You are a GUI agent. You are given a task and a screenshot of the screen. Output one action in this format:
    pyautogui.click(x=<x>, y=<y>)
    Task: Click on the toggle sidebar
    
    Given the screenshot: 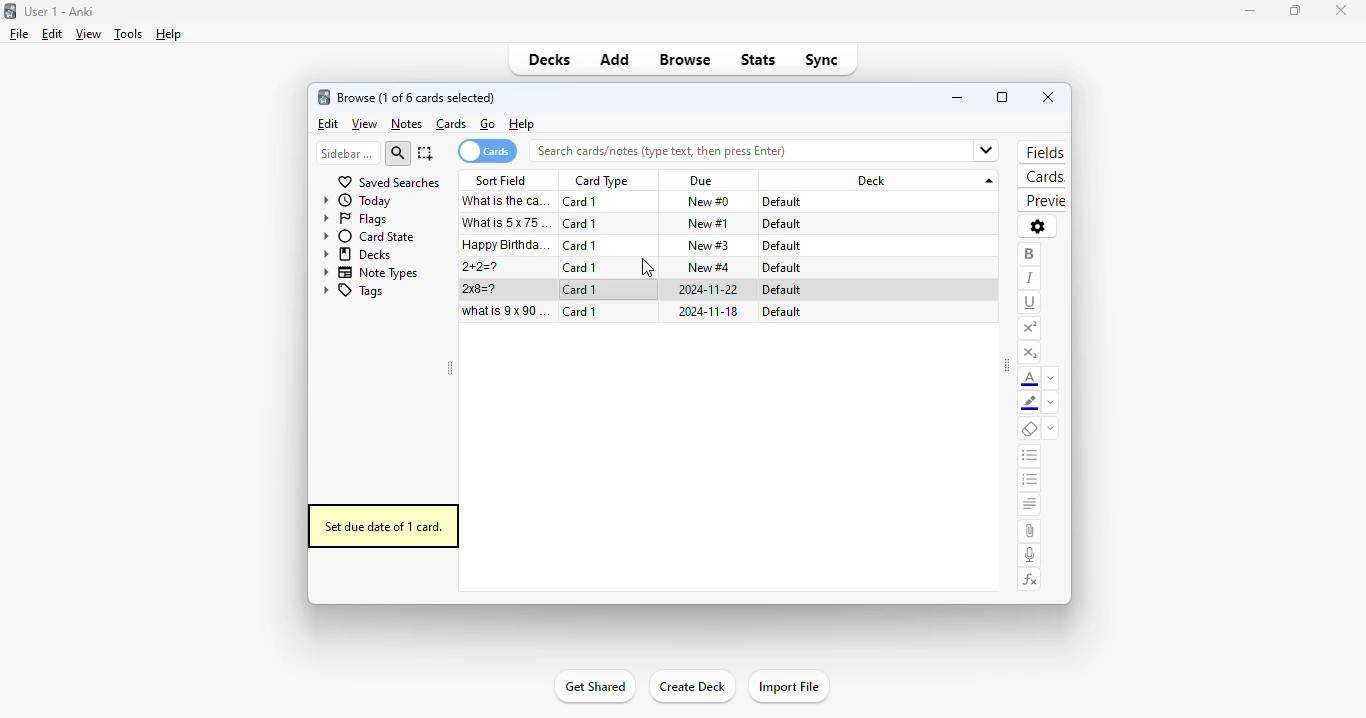 What is the action you would take?
    pyautogui.click(x=1007, y=367)
    